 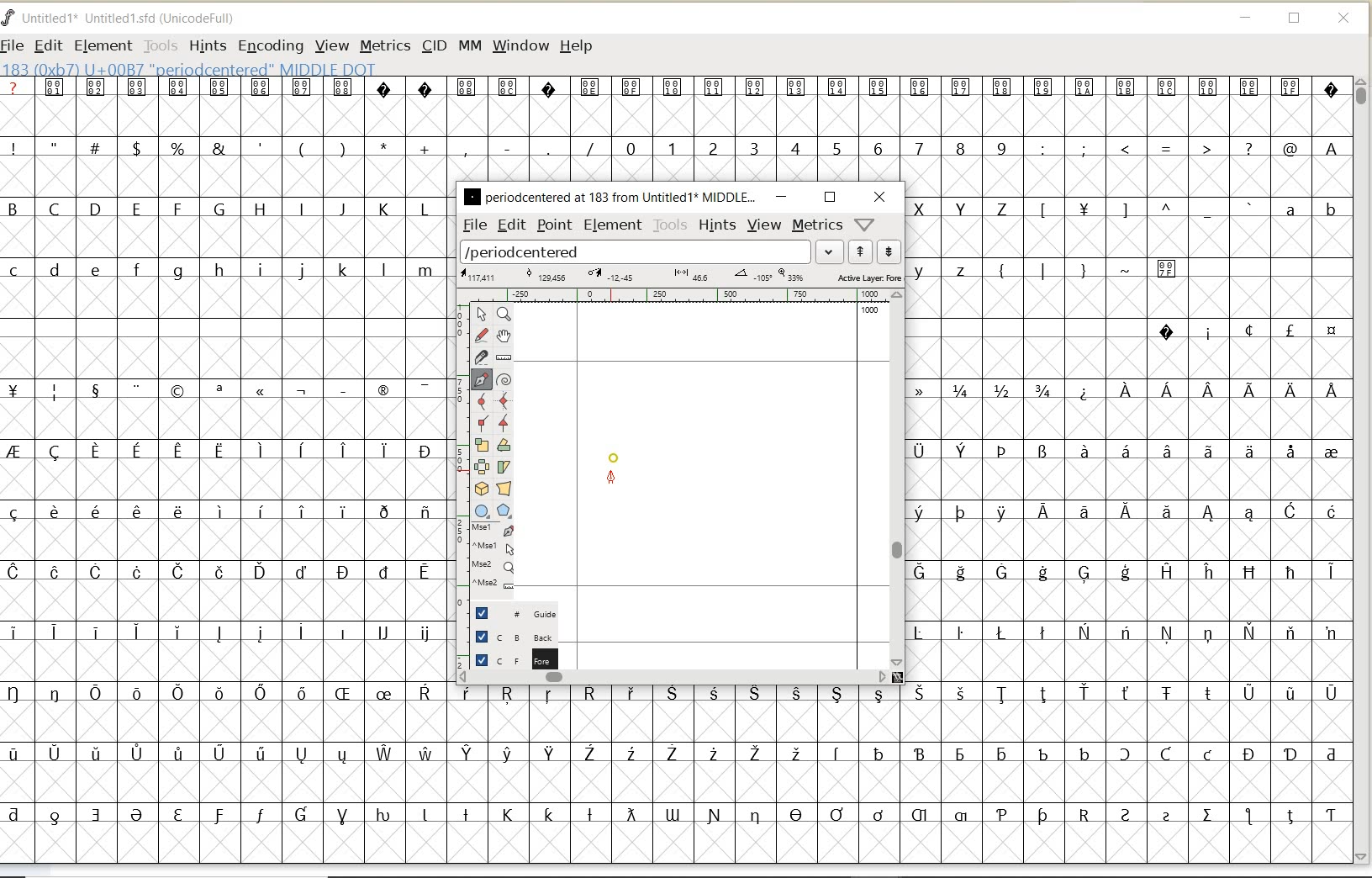 What do you see at coordinates (384, 47) in the screenshot?
I see `METRICS` at bounding box center [384, 47].